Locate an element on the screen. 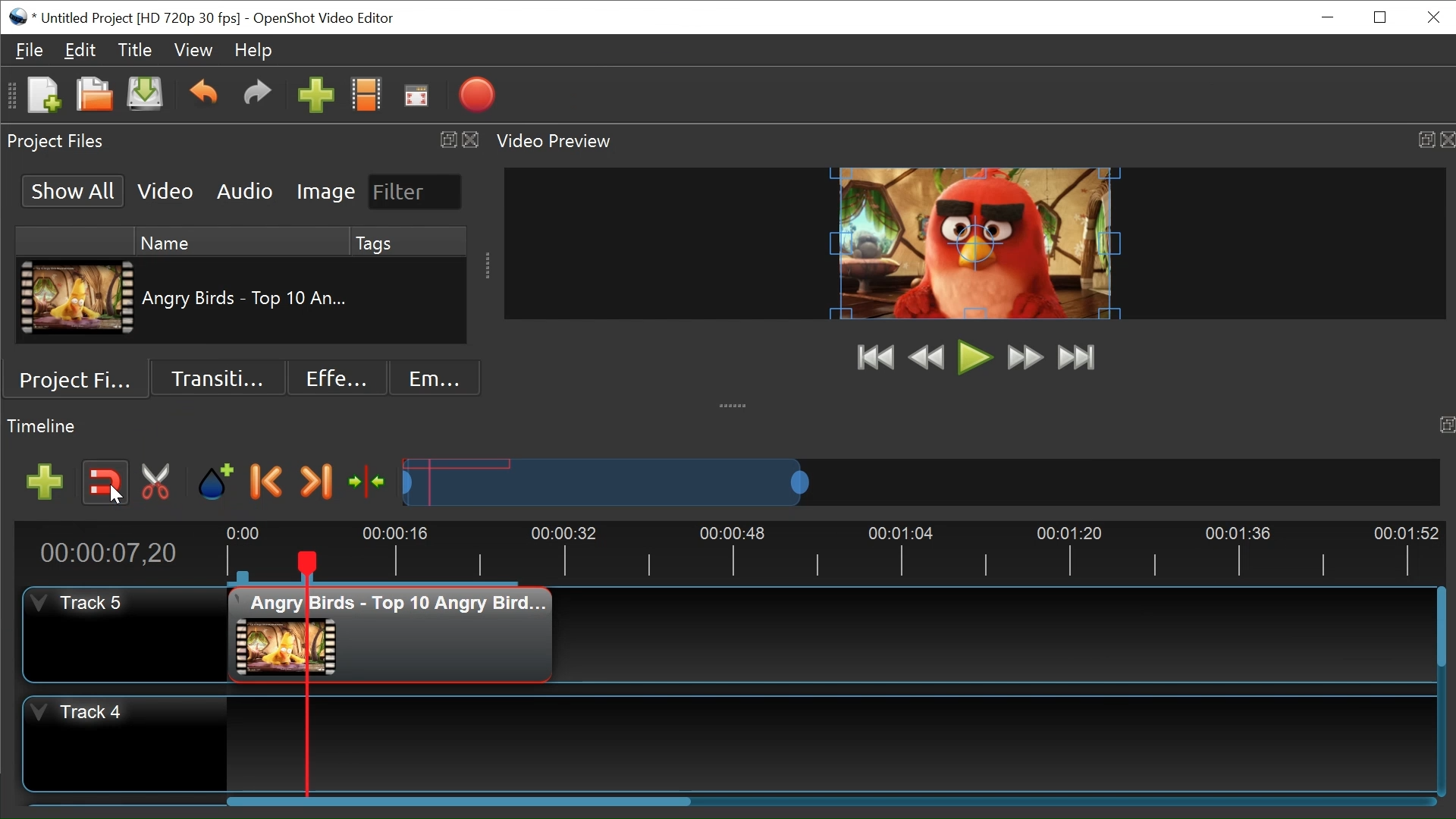 Image resolution: width=1456 pixels, height=819 pixels. Clip Nmae is located at coordinates (261, 300).